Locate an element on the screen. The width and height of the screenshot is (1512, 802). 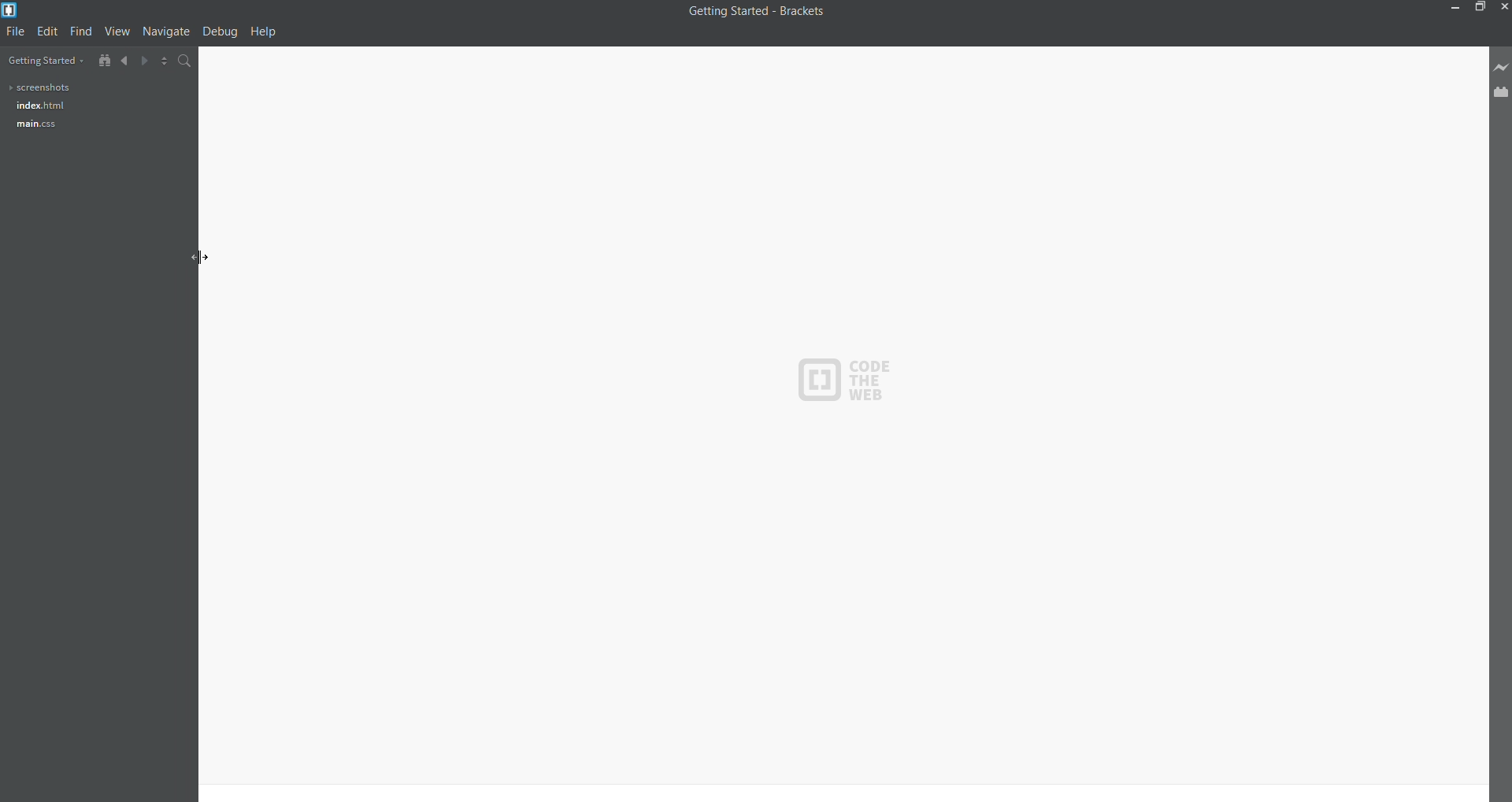
search is located at coordinates (183, 61).